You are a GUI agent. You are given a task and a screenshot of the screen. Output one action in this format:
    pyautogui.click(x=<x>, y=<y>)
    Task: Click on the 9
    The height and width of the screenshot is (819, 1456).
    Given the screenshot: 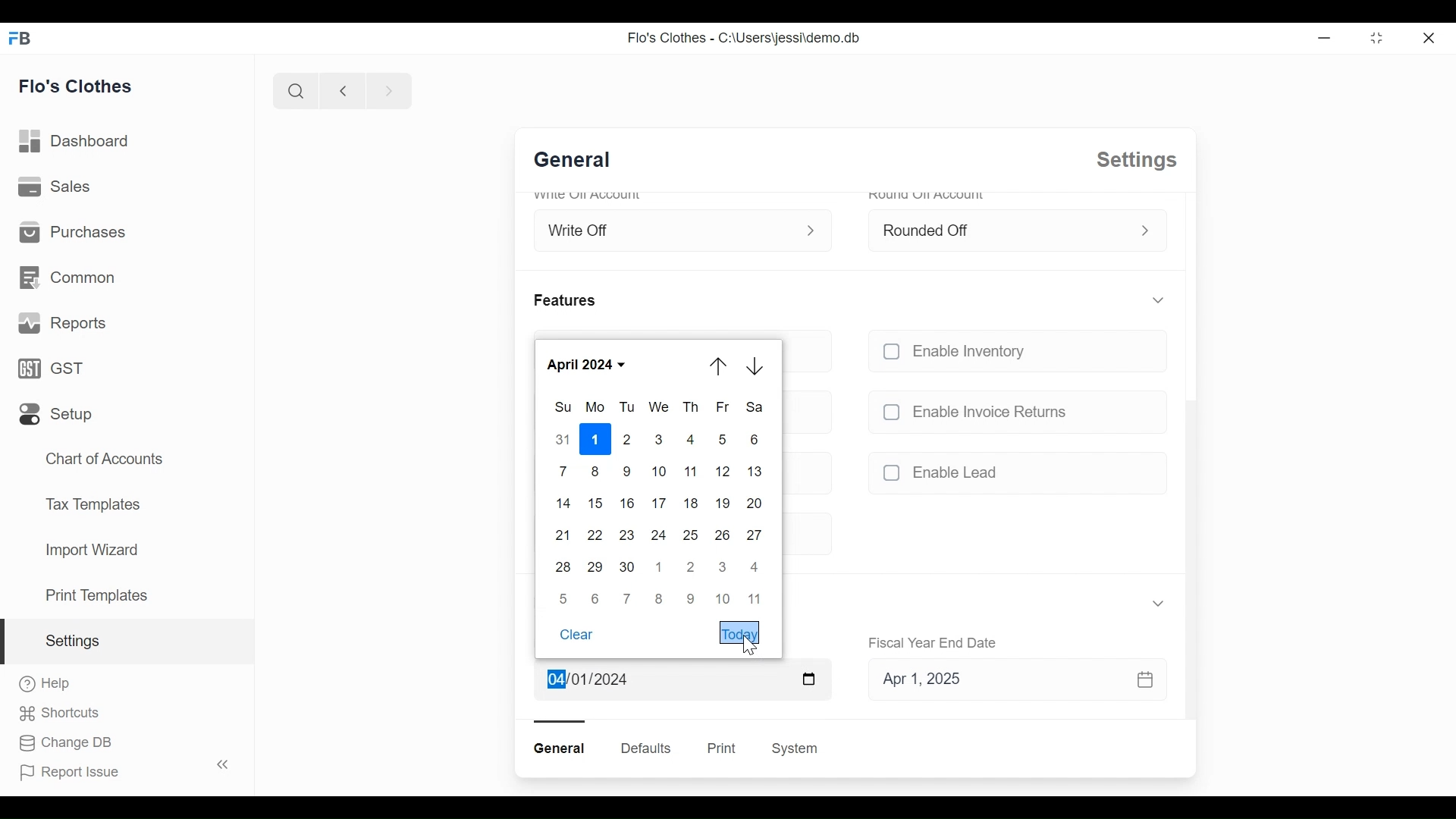 What is the action you would take?
    pyautogui.click(x=629, y=472)
    